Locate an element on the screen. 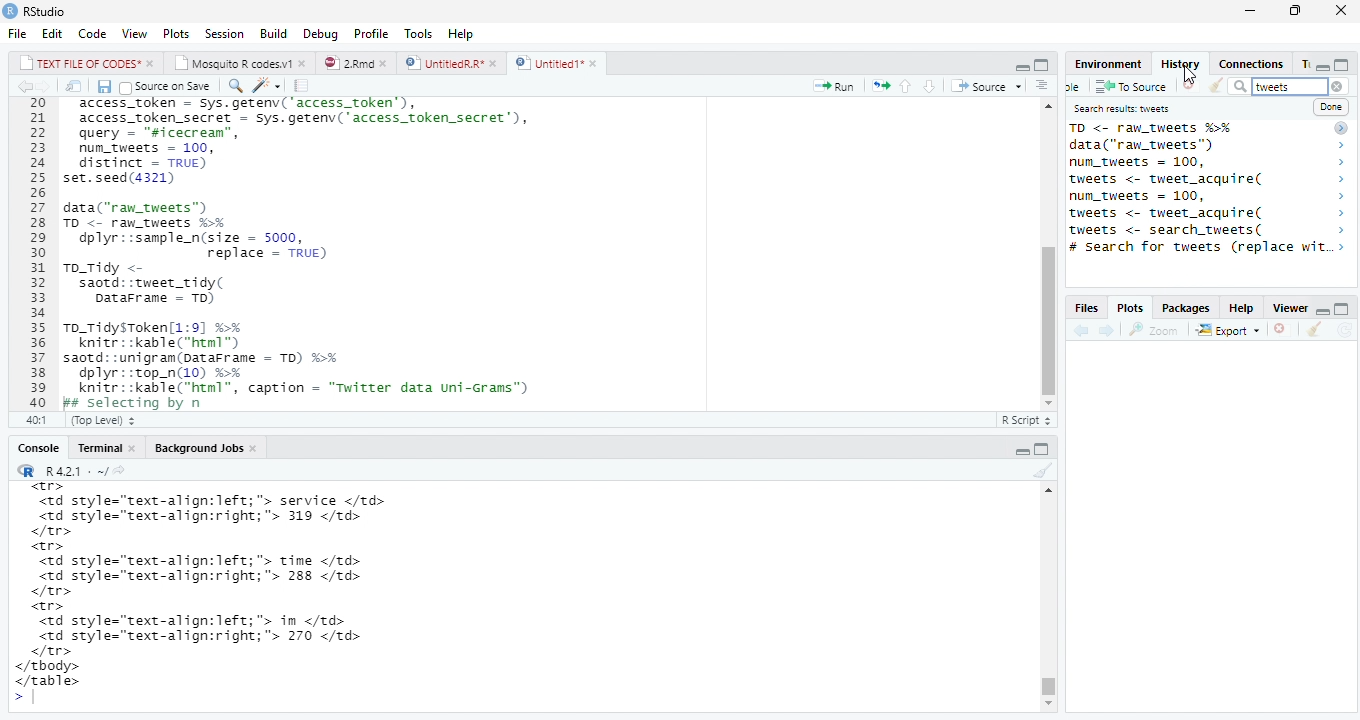 The width and height of the screenshot is (1360, 720). minimize/maximize is located at coordinates (1338, 61).